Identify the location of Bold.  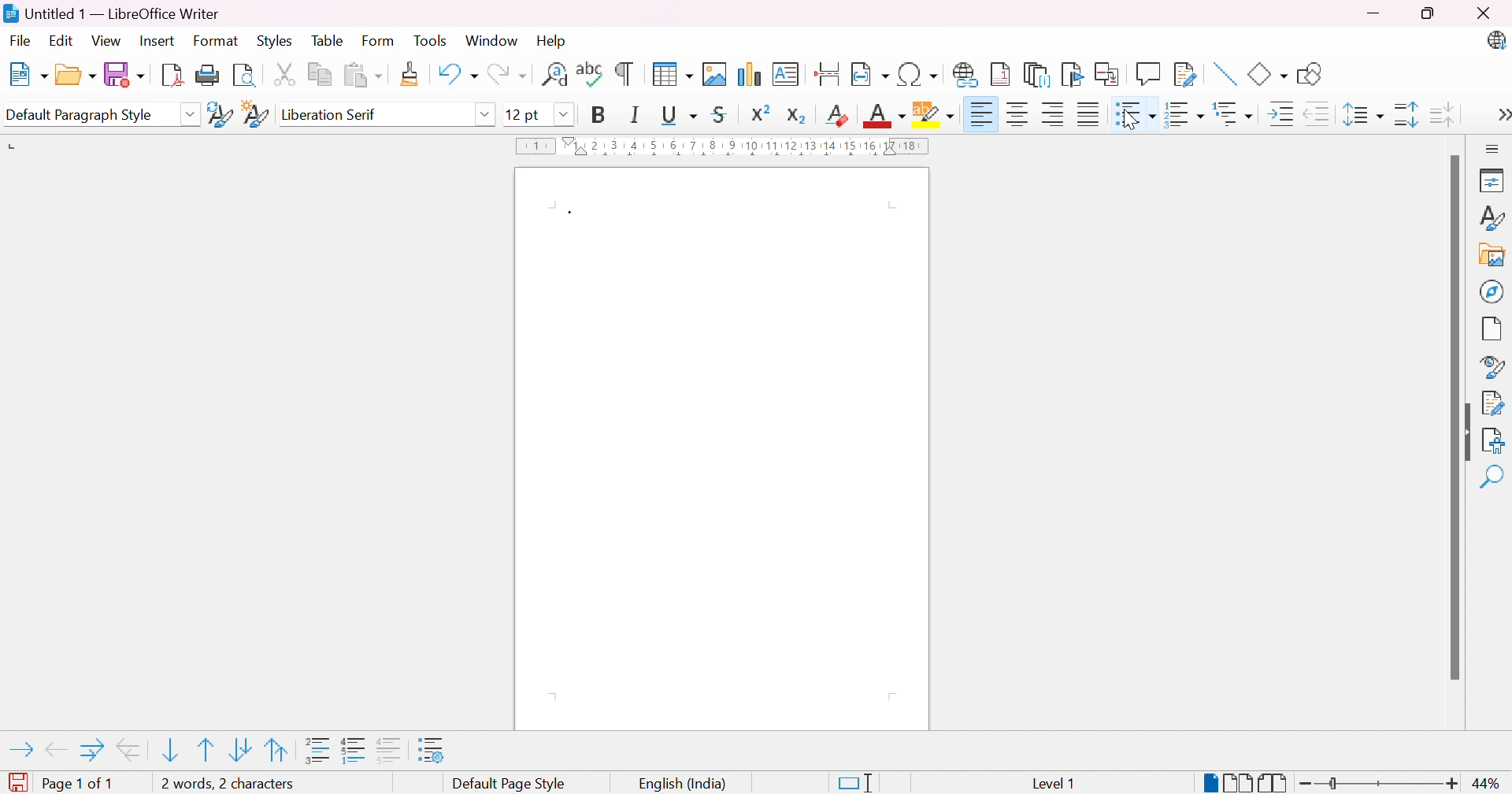
(602, 117).